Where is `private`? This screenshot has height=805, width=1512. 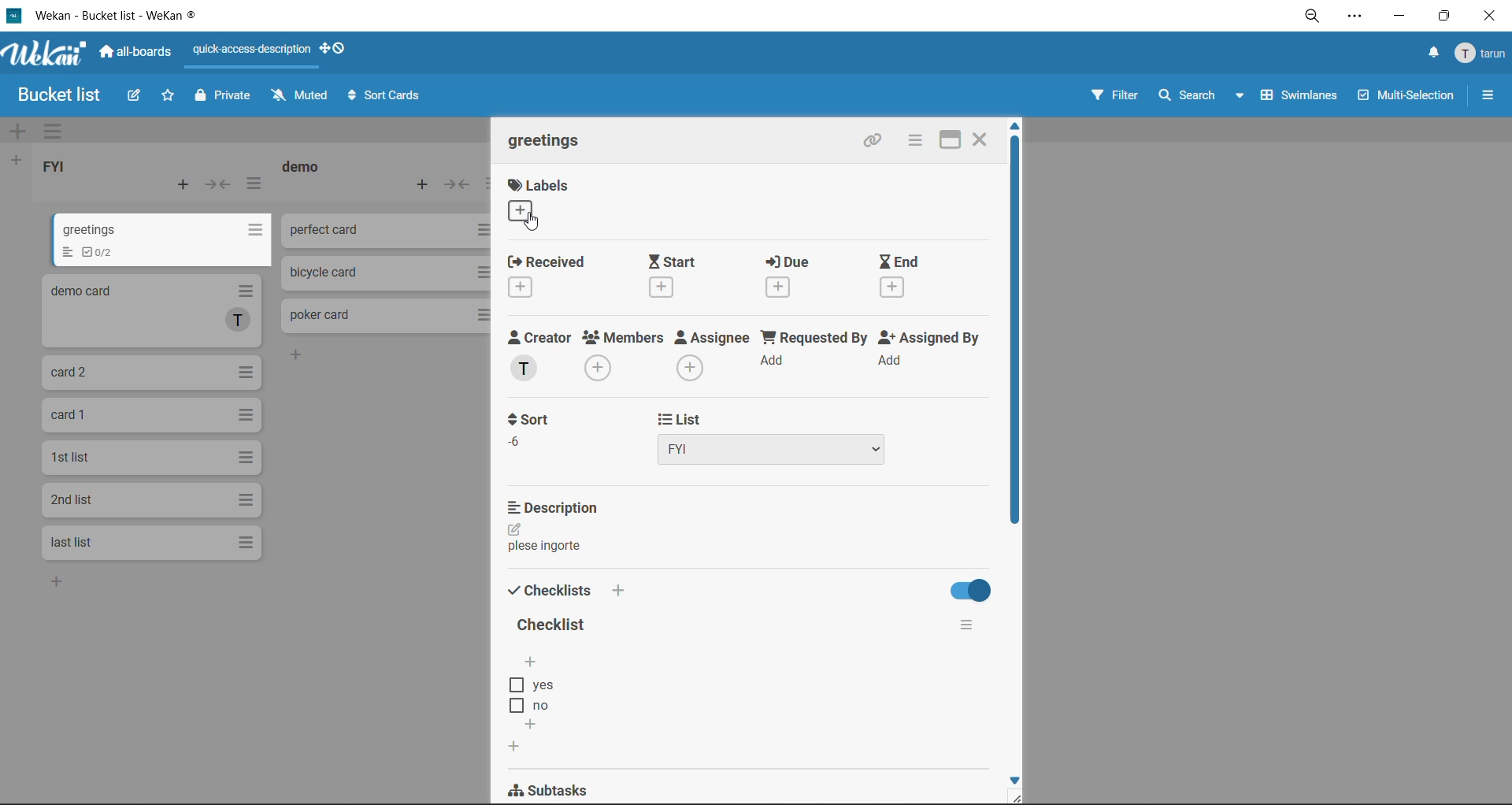
private is located at coordinates (222, 99).